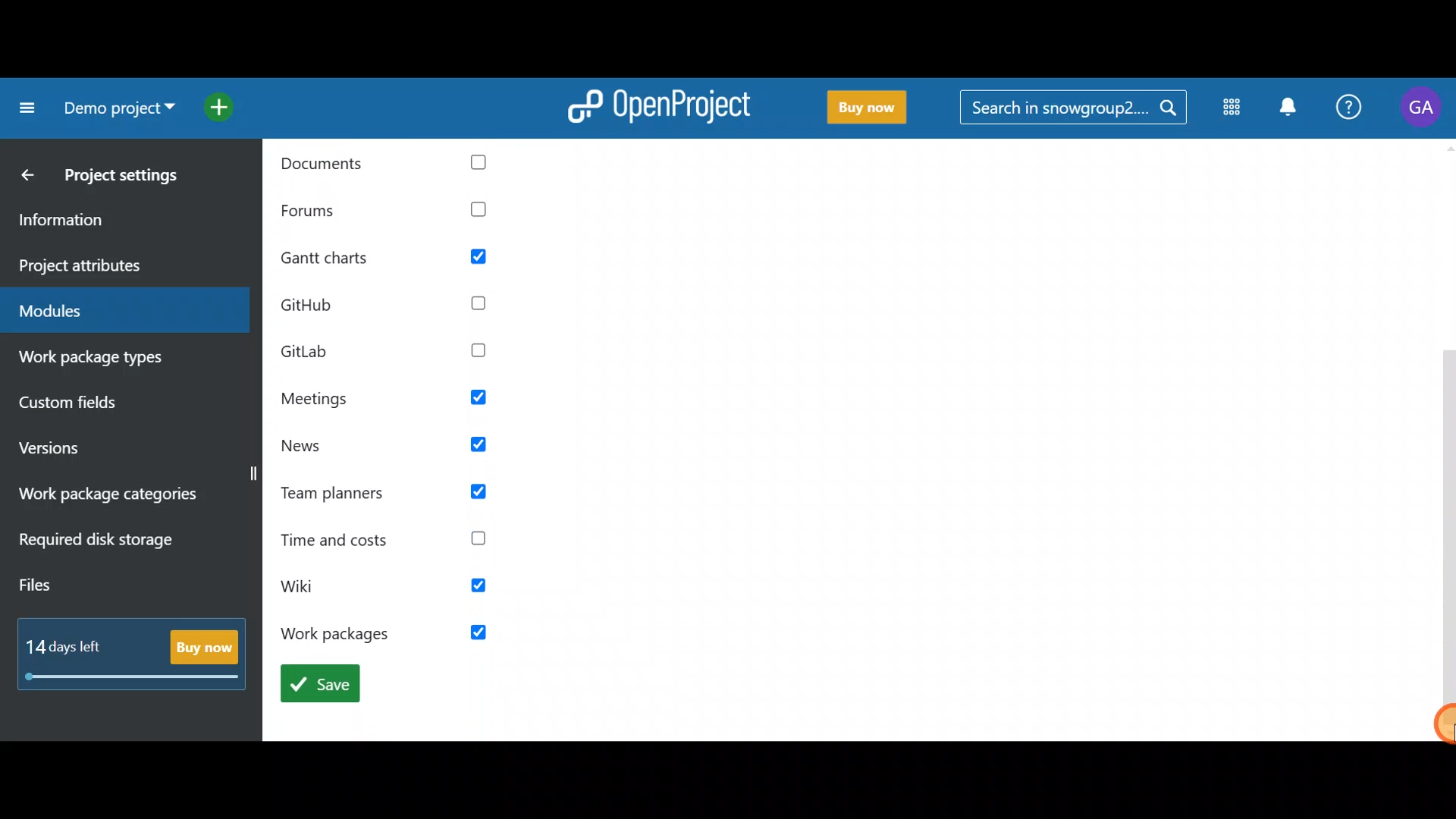 This screenshot has height=819, width=1456. I want to click on Cursor-drag to, so click(1445, 724).